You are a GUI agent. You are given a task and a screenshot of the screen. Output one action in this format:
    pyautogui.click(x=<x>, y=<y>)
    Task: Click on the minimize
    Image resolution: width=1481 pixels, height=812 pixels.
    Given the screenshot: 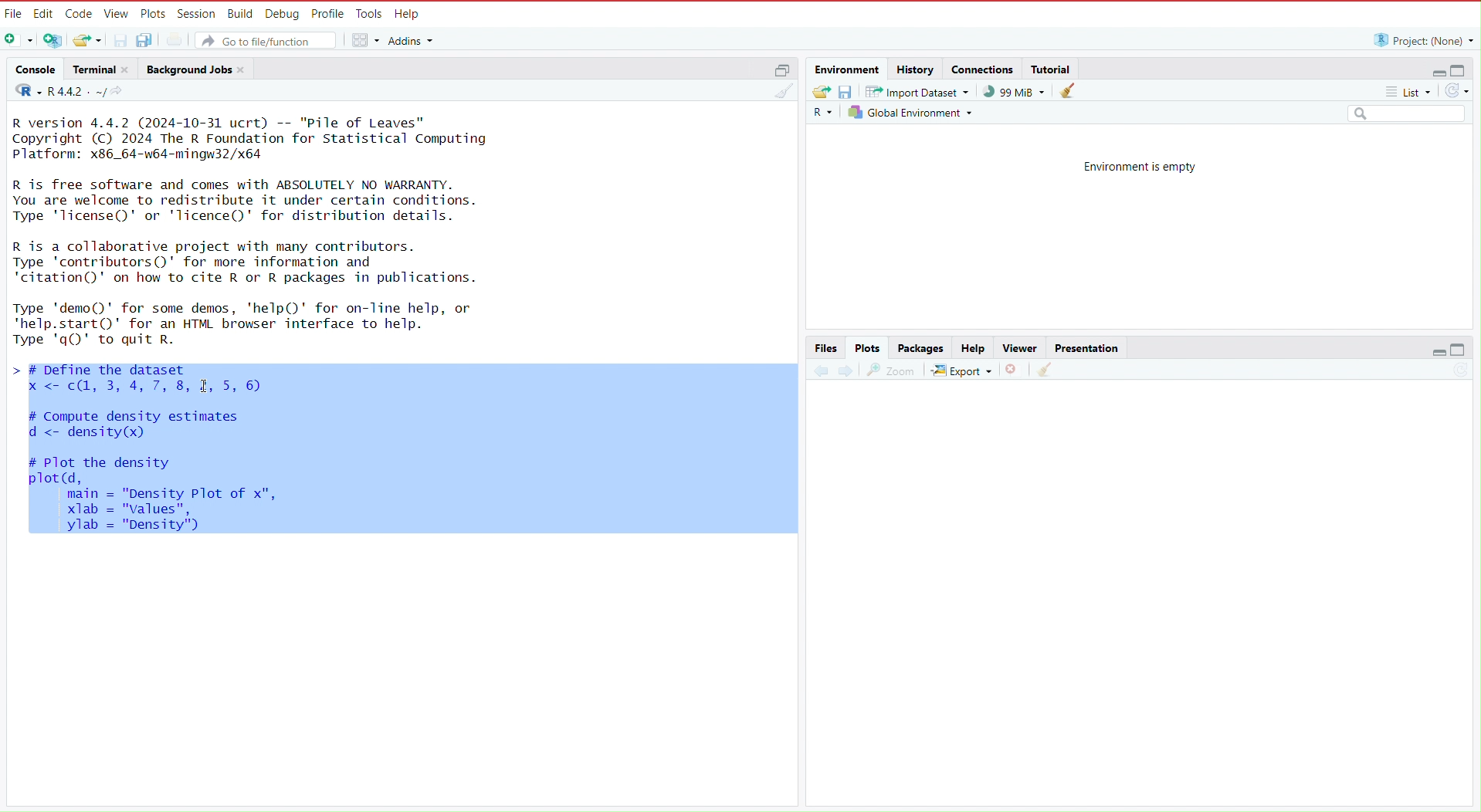 What is the action you would take?
    pyautogui.click(x=1432, y=354)
    